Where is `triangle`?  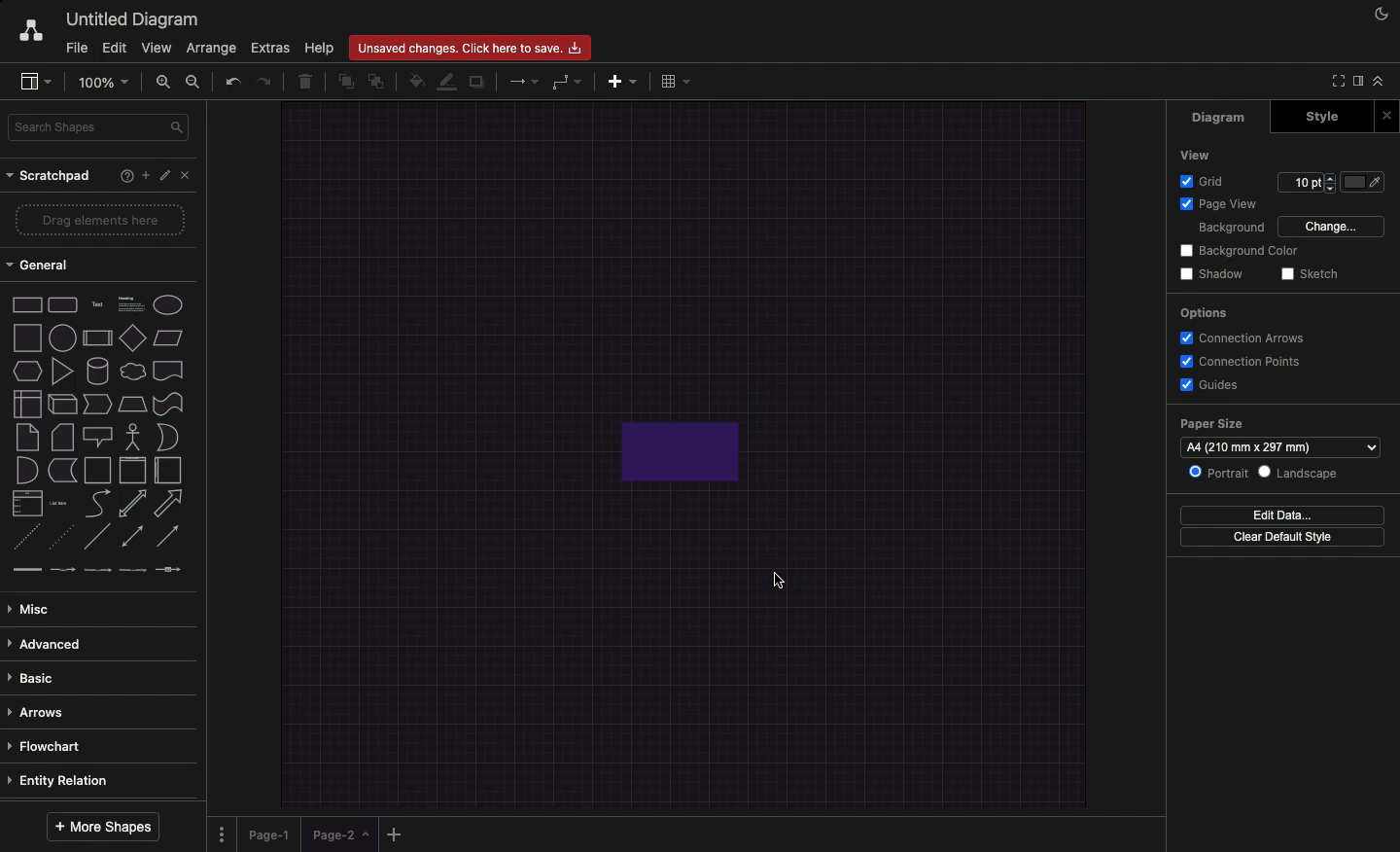 triangle is located at coordinates (61, 372).